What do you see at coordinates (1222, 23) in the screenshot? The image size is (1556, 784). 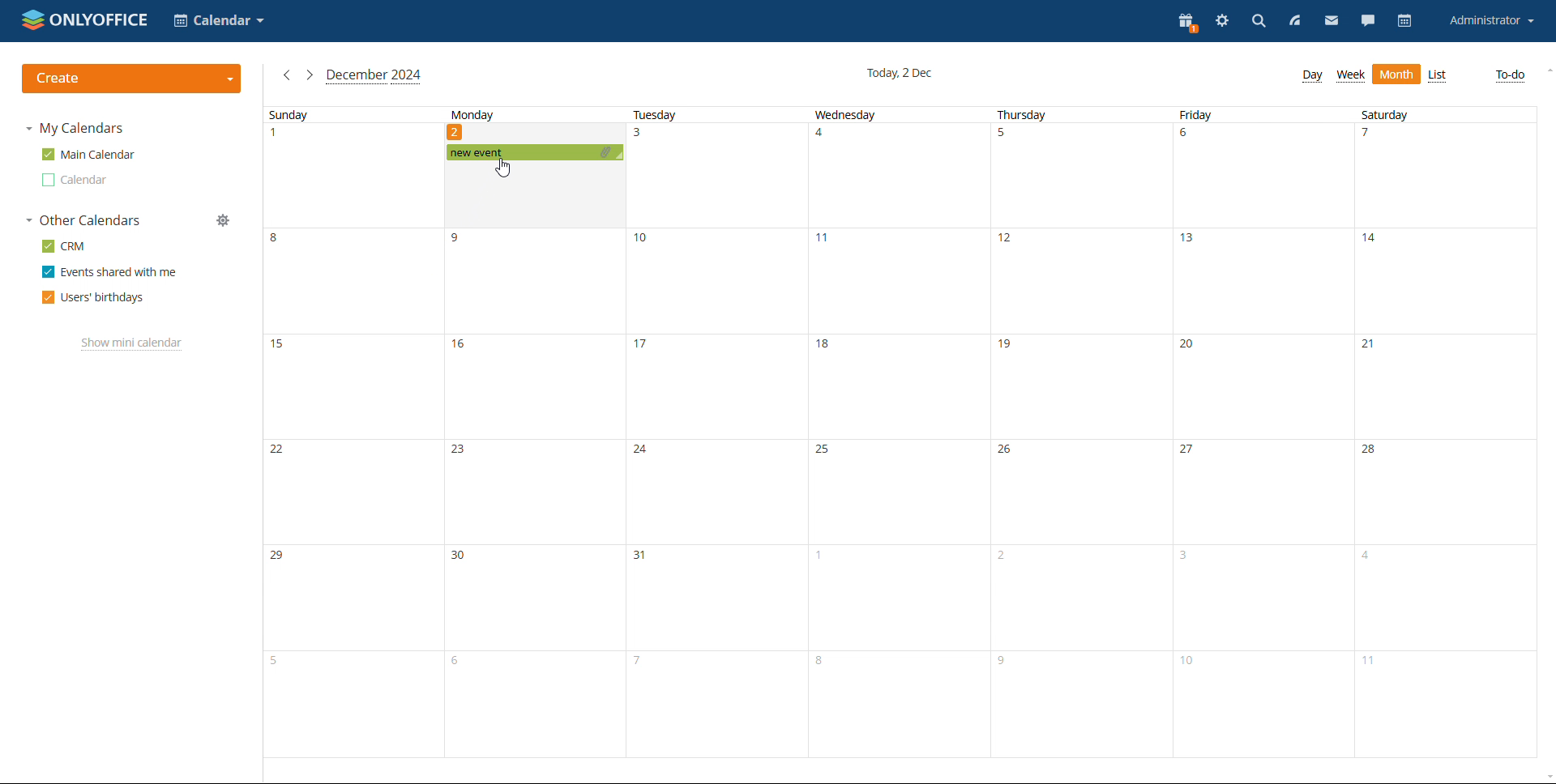 I see `settings` at bounding box center [1222, 23].